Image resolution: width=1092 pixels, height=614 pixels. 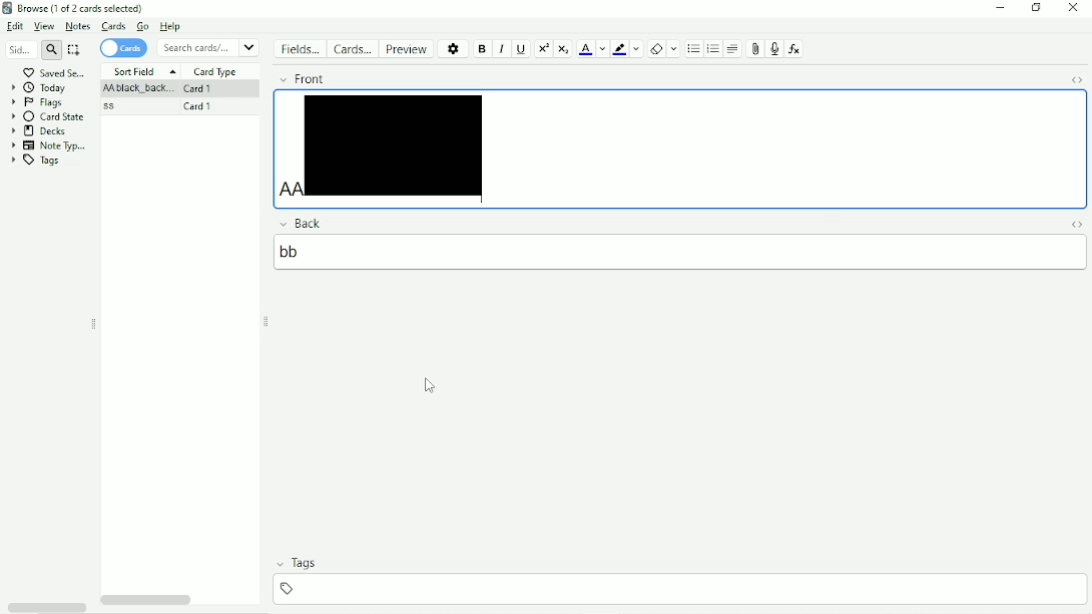 I want to click on Saved search, so click(x=53, y=72).